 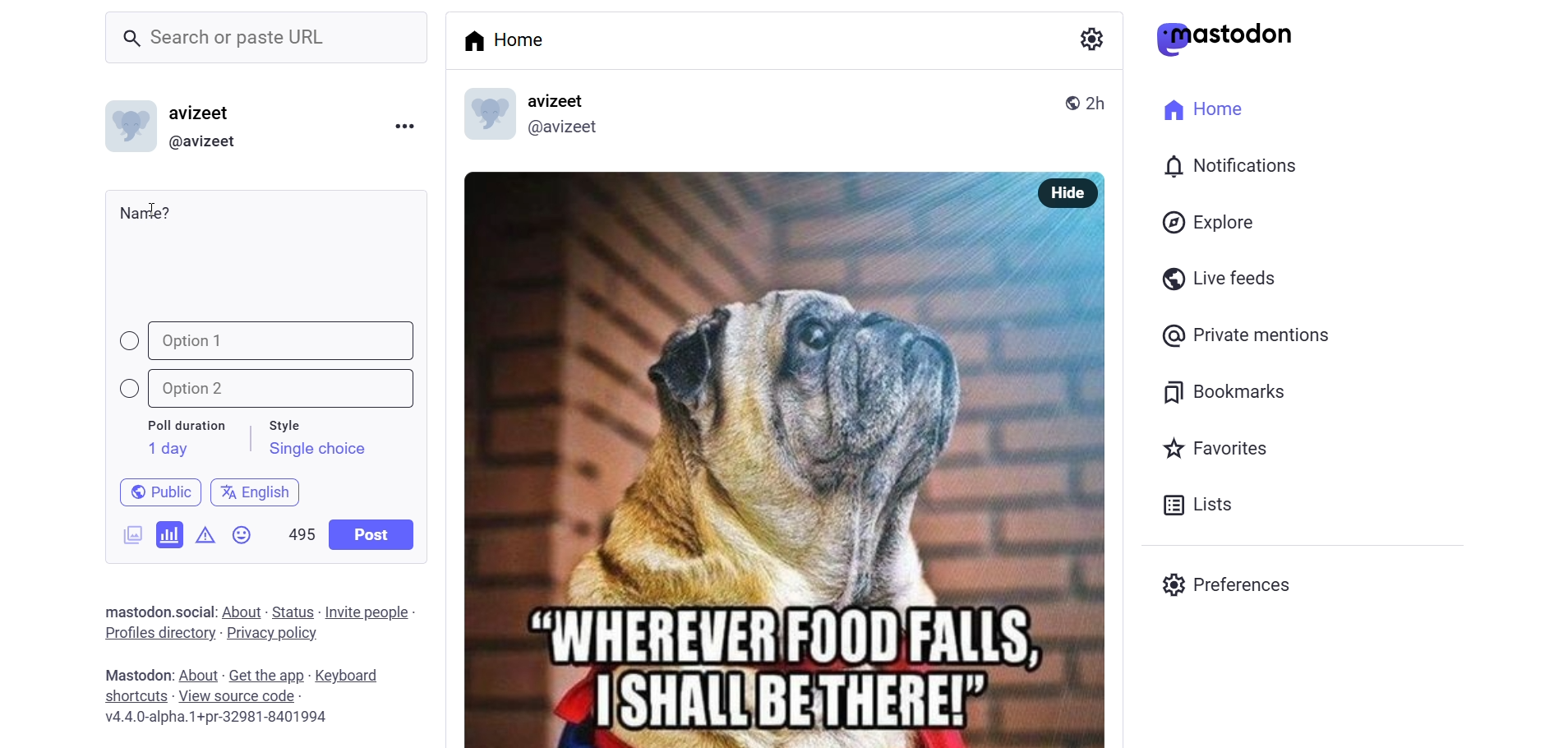 What do you see at coordinates (371, 612) in the screenshot?
I see `invite people` at bounding box center [371, 612].